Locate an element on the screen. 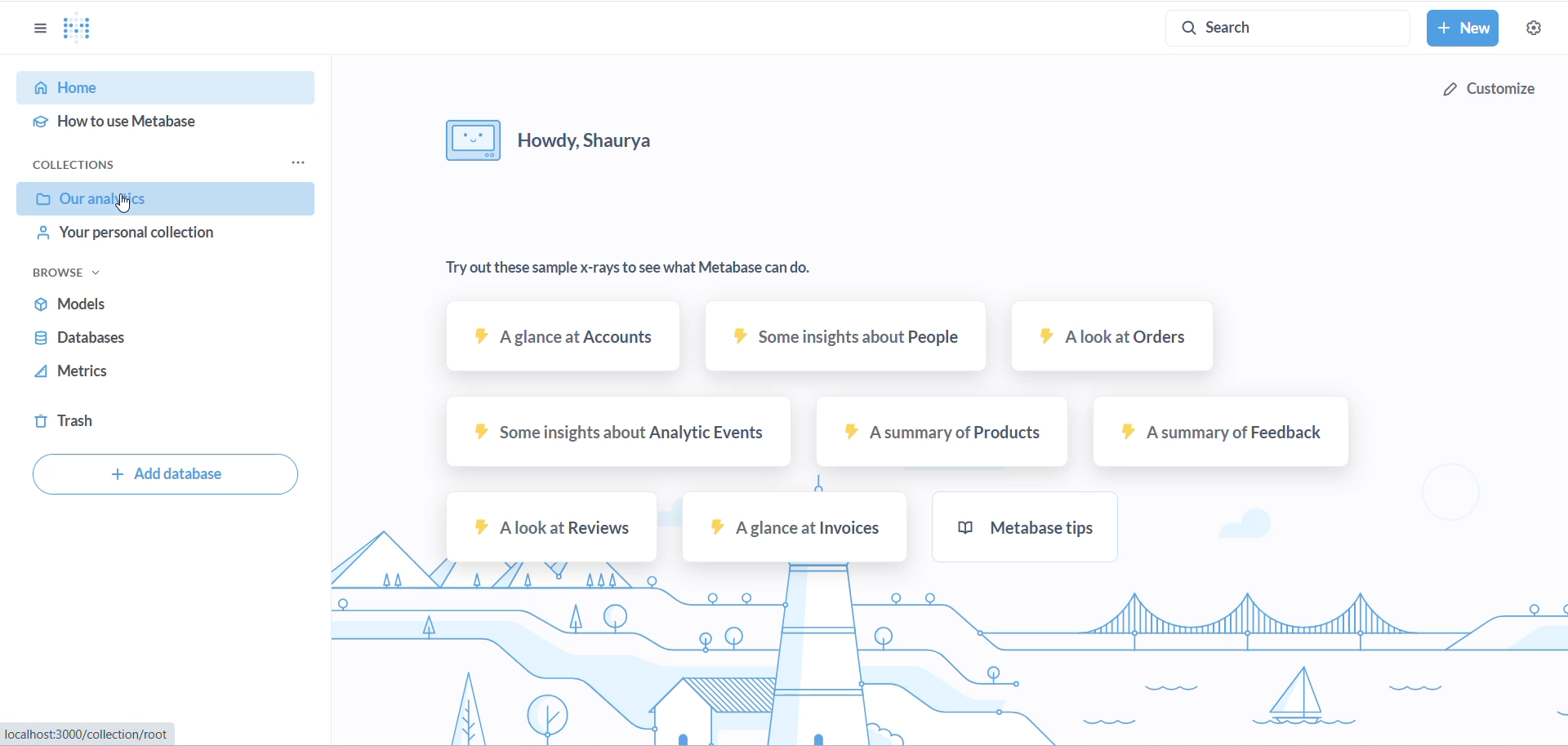 Image resolution: width=1568 pixels, height=746 pixels. search is located at coordinates (1277, 27).